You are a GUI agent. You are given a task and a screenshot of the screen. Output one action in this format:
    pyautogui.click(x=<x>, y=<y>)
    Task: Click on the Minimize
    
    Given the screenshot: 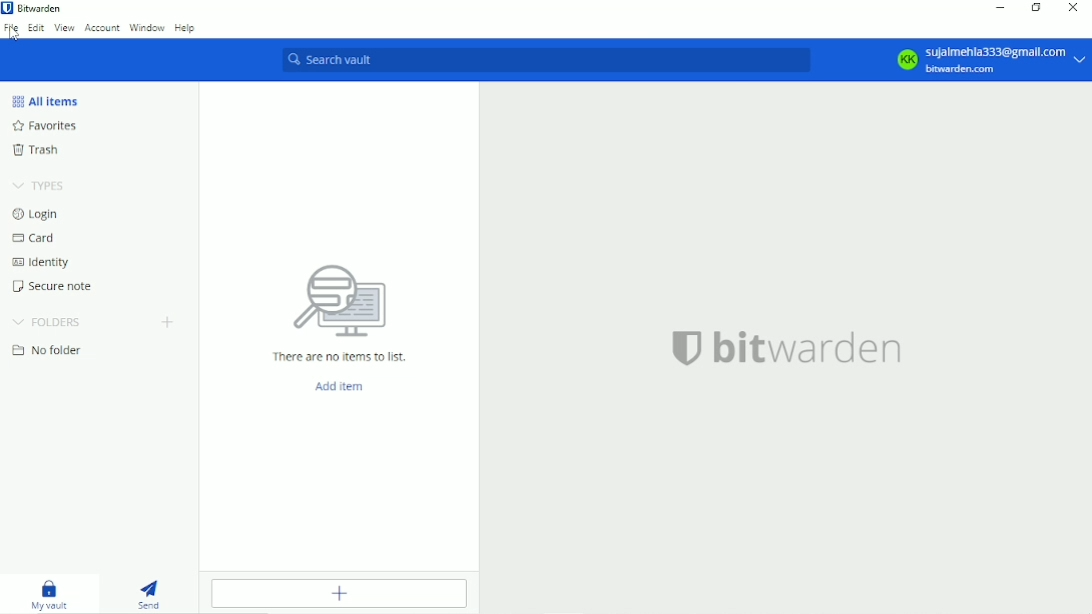 What is the action you would take?
    pyautogui.click(x=1001, y=10)
    